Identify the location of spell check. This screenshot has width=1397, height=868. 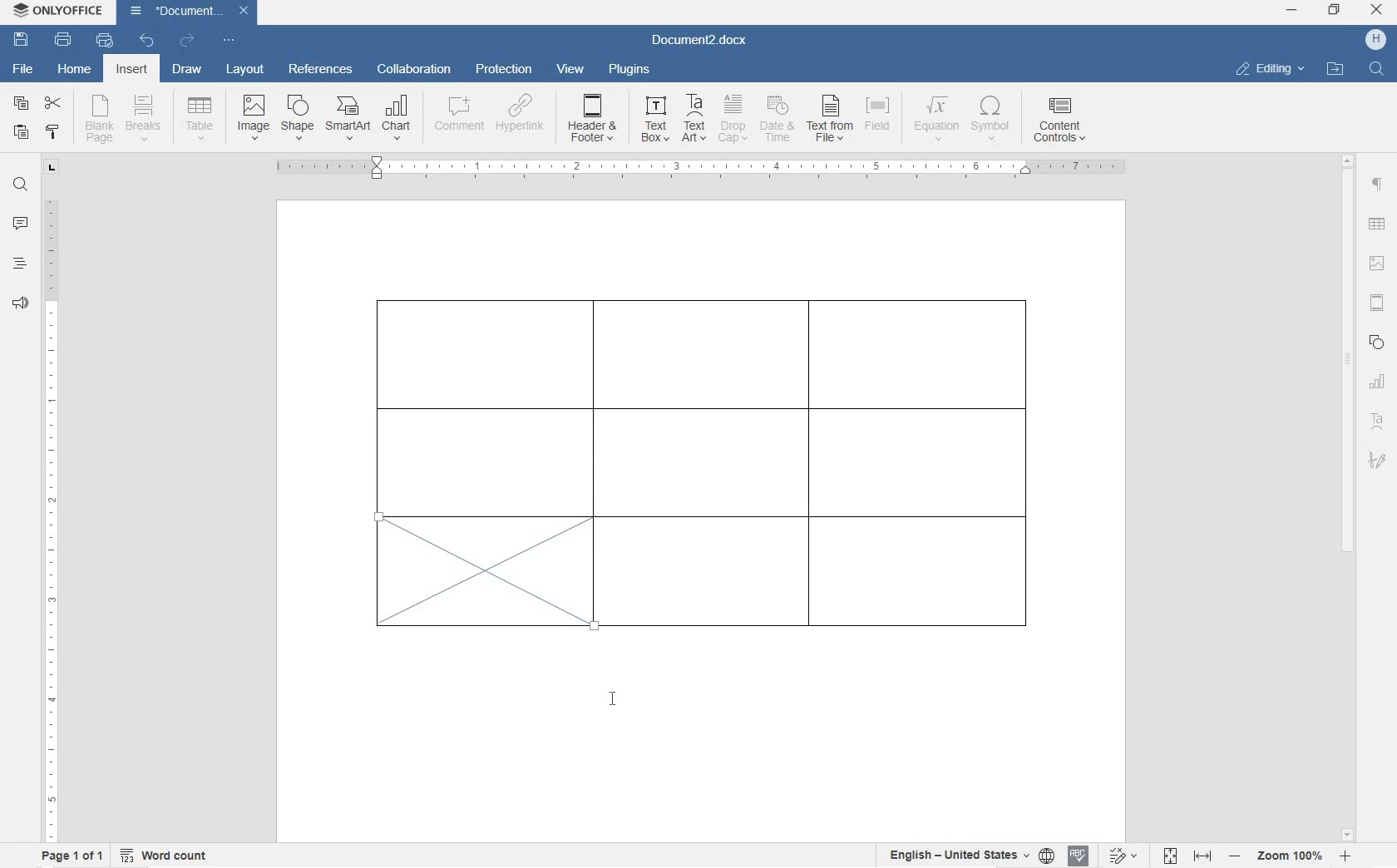
(1079, 857).